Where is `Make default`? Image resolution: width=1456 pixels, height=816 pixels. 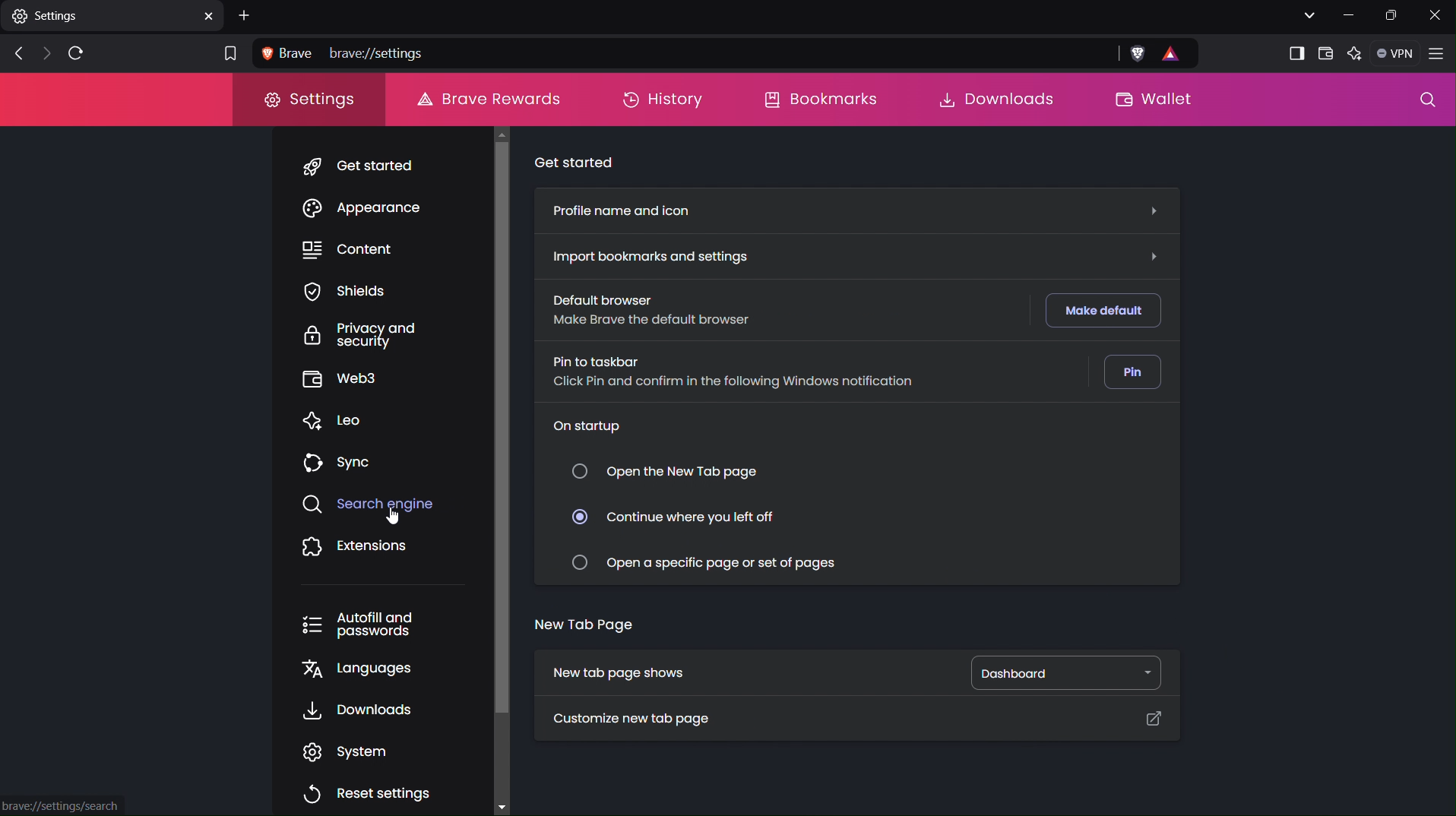
Make default is located at coordinates (1105, 312).